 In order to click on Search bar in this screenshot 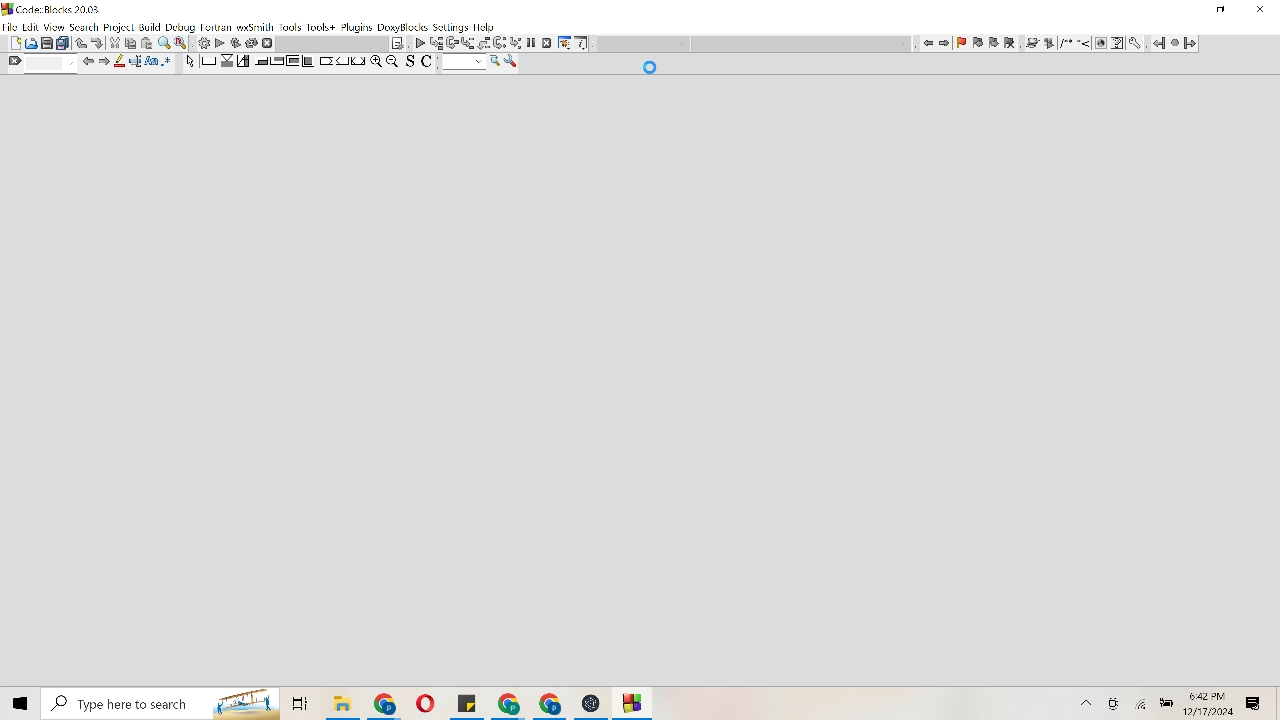, I will do `click(159, 704)`.